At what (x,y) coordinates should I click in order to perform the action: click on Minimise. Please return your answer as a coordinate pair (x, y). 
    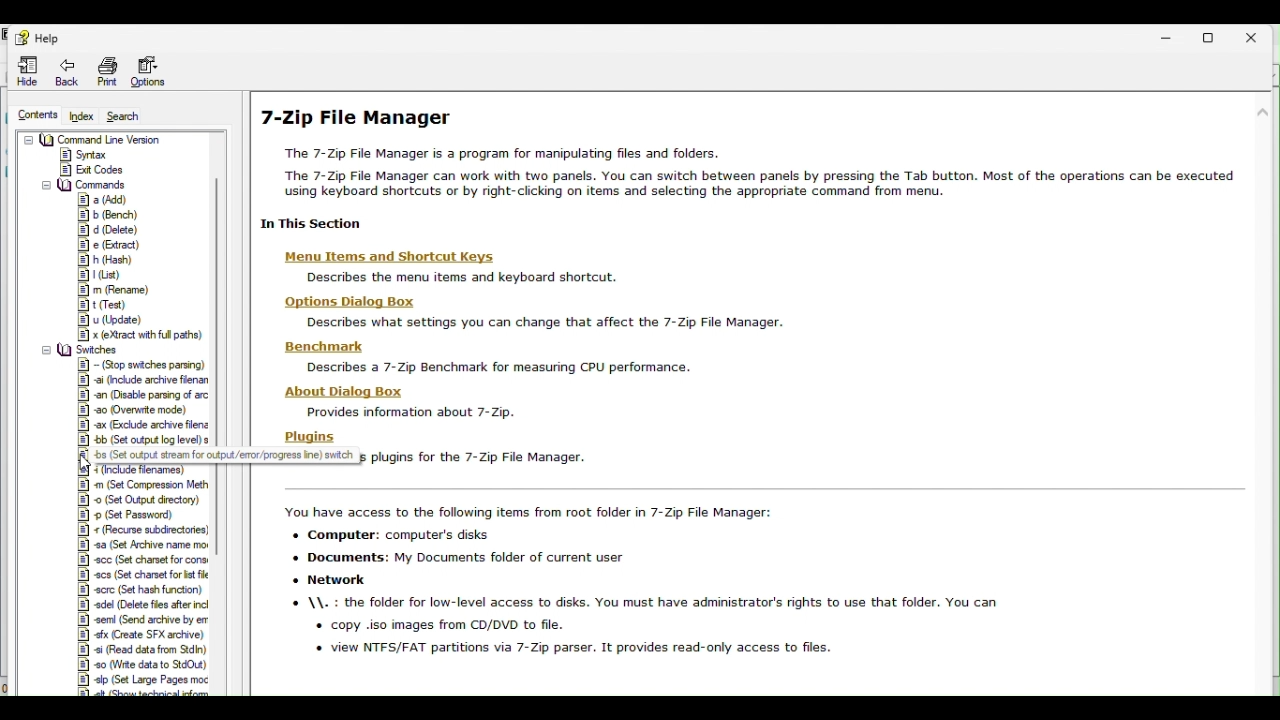
    Looking at the image, I should click on (1167, 37).